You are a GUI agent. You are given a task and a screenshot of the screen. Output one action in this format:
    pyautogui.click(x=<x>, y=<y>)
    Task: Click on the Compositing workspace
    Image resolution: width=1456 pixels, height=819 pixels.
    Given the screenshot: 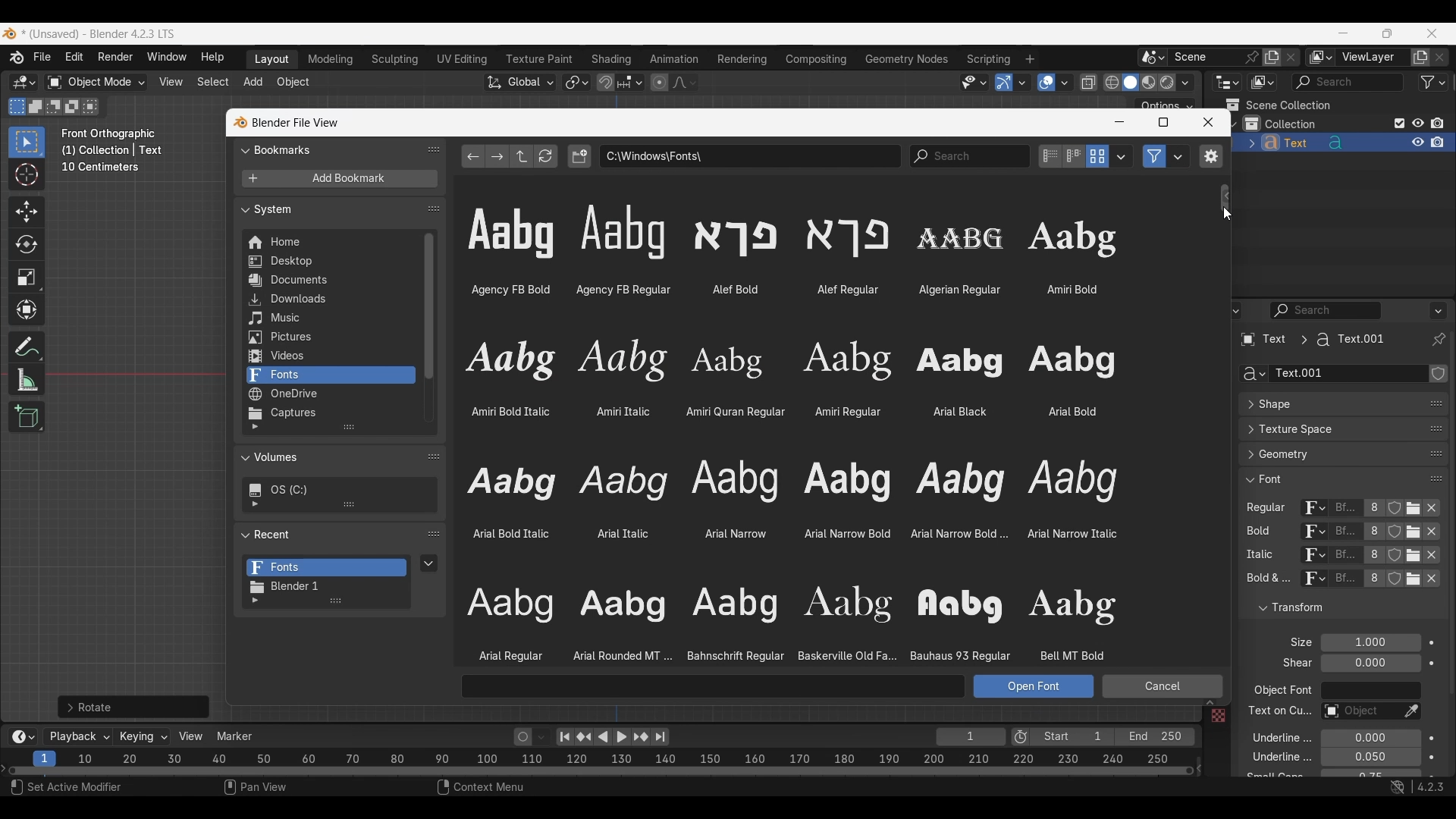 What is the action you would take?
    pyautogui.click(x=817, y=59)
    